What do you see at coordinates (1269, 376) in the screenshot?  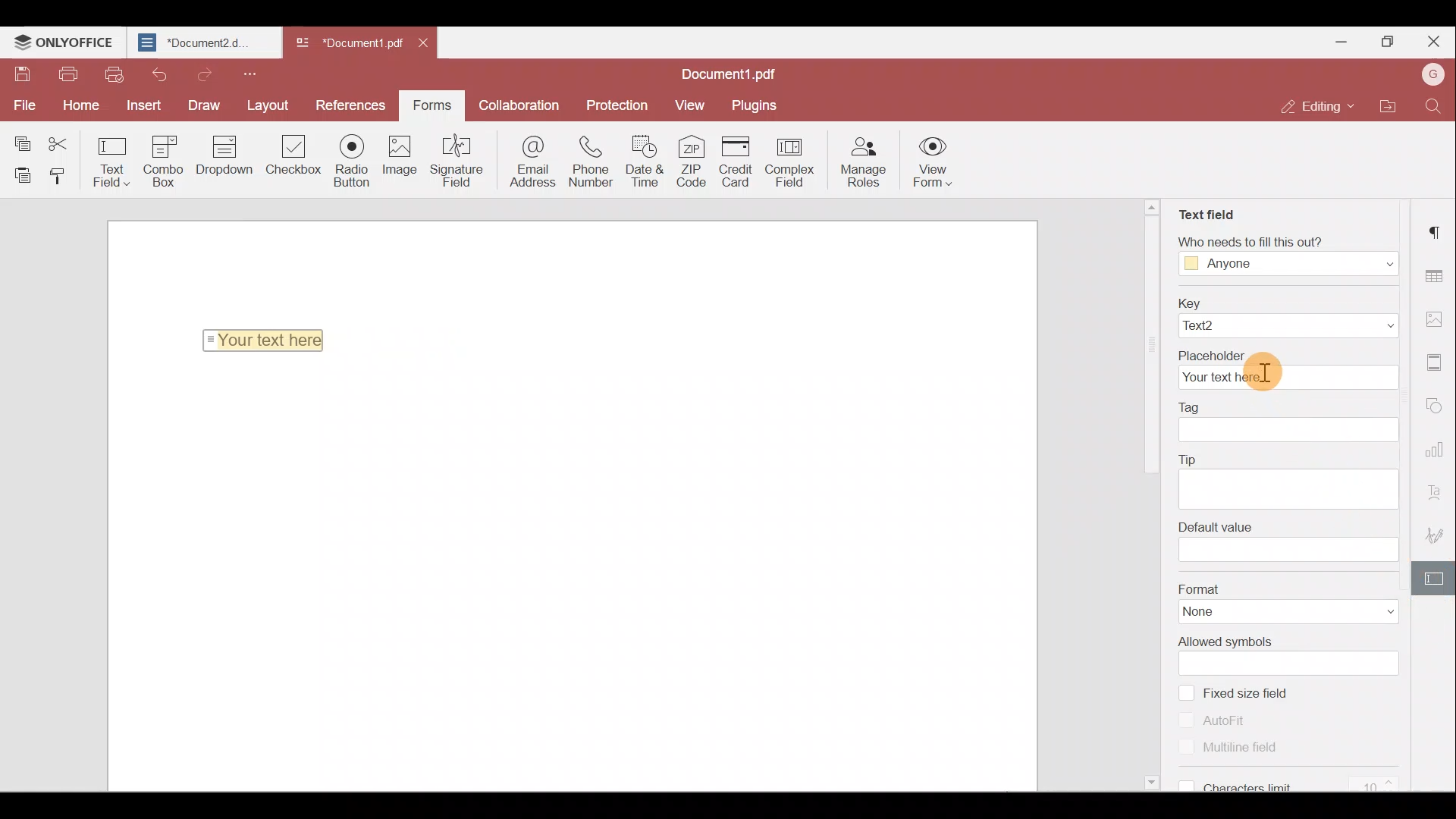 I see `Cursor on placeholder` at bounding box center [1269, 376].